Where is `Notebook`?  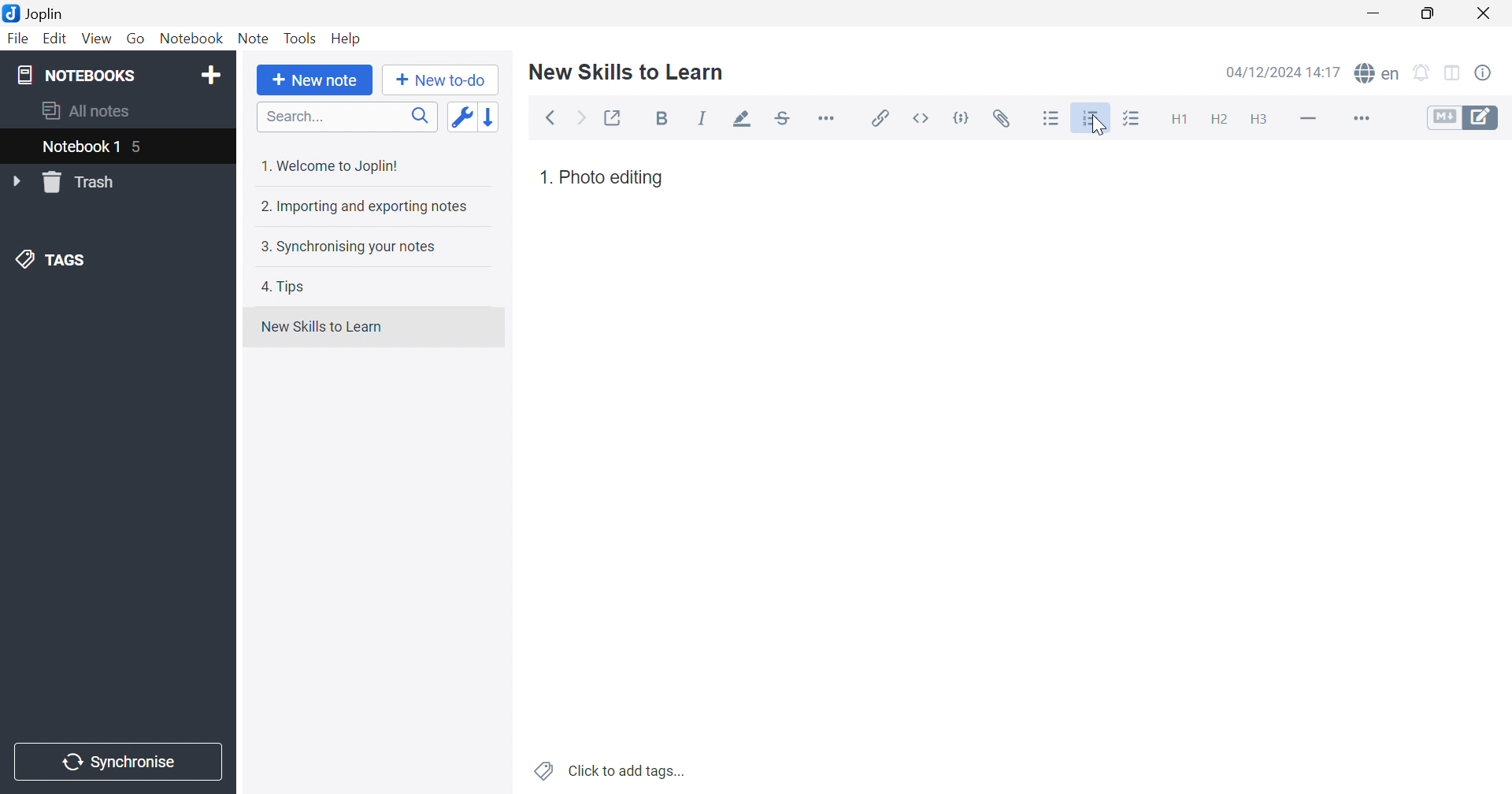 Notebook is located at coordinates (190, 39).